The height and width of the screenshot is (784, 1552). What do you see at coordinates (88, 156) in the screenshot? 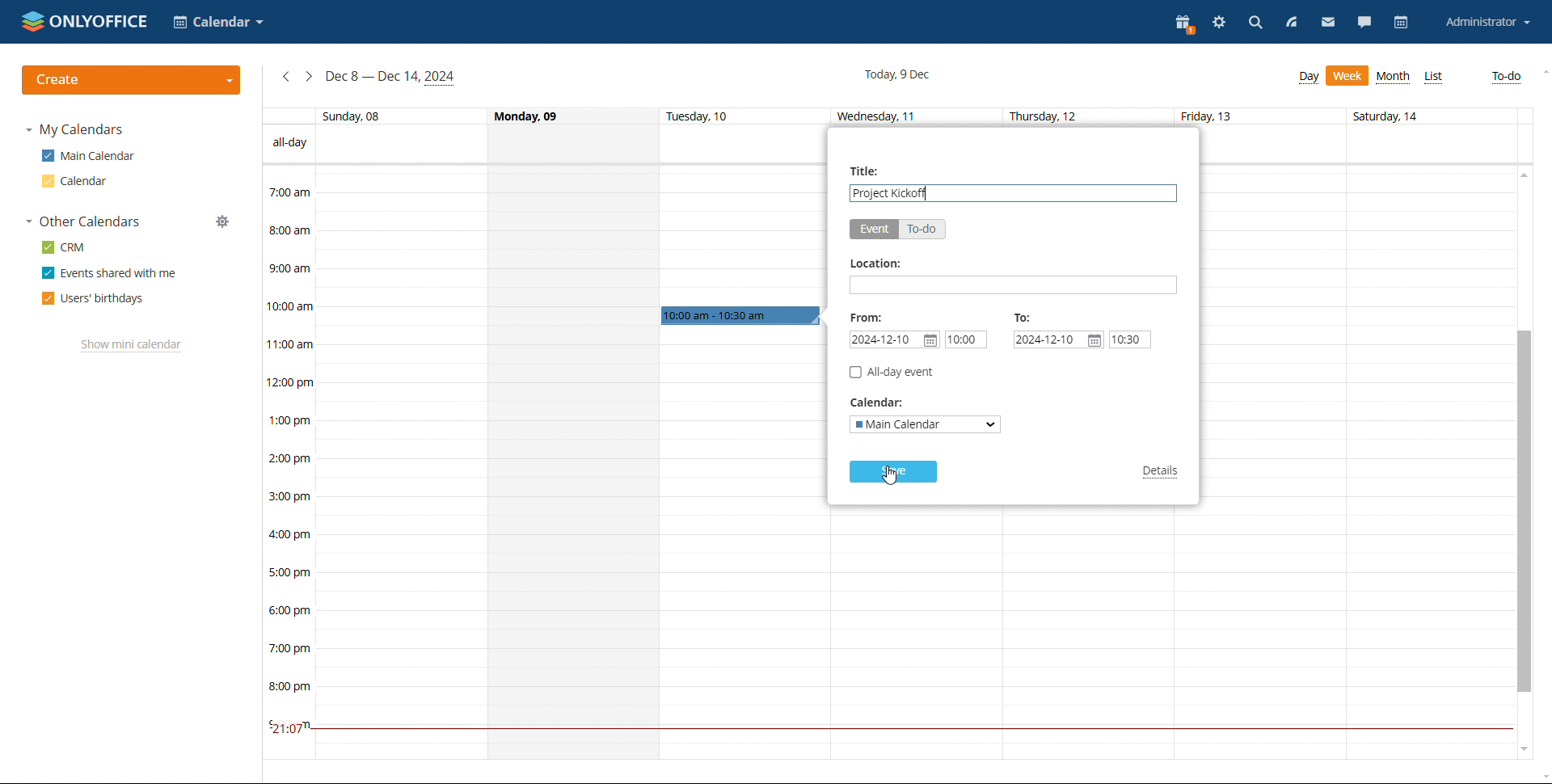
I see `main calendar` at bounding box center [88, 156].